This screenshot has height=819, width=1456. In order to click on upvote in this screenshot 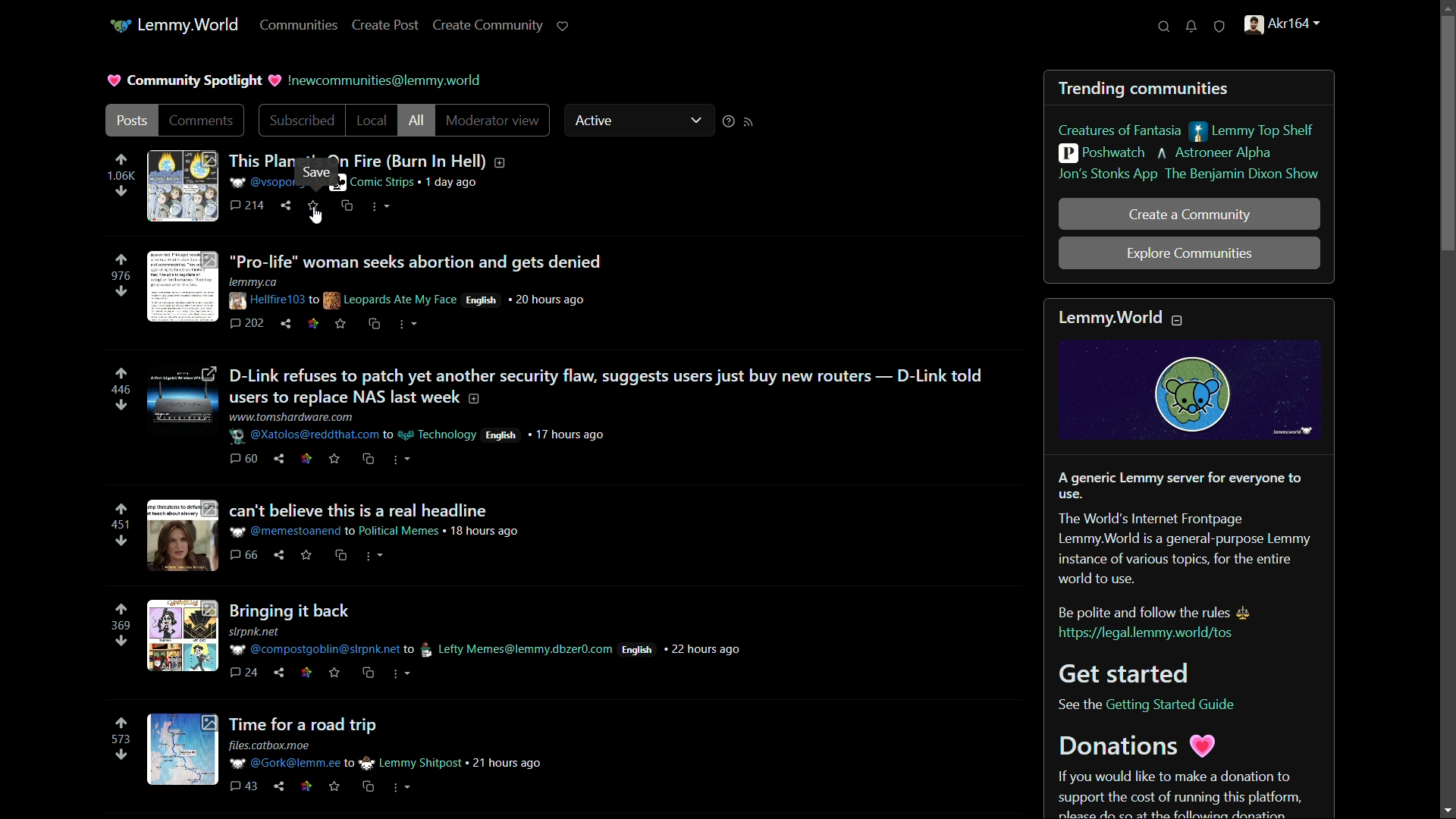, I will do `click(120, 724)`.